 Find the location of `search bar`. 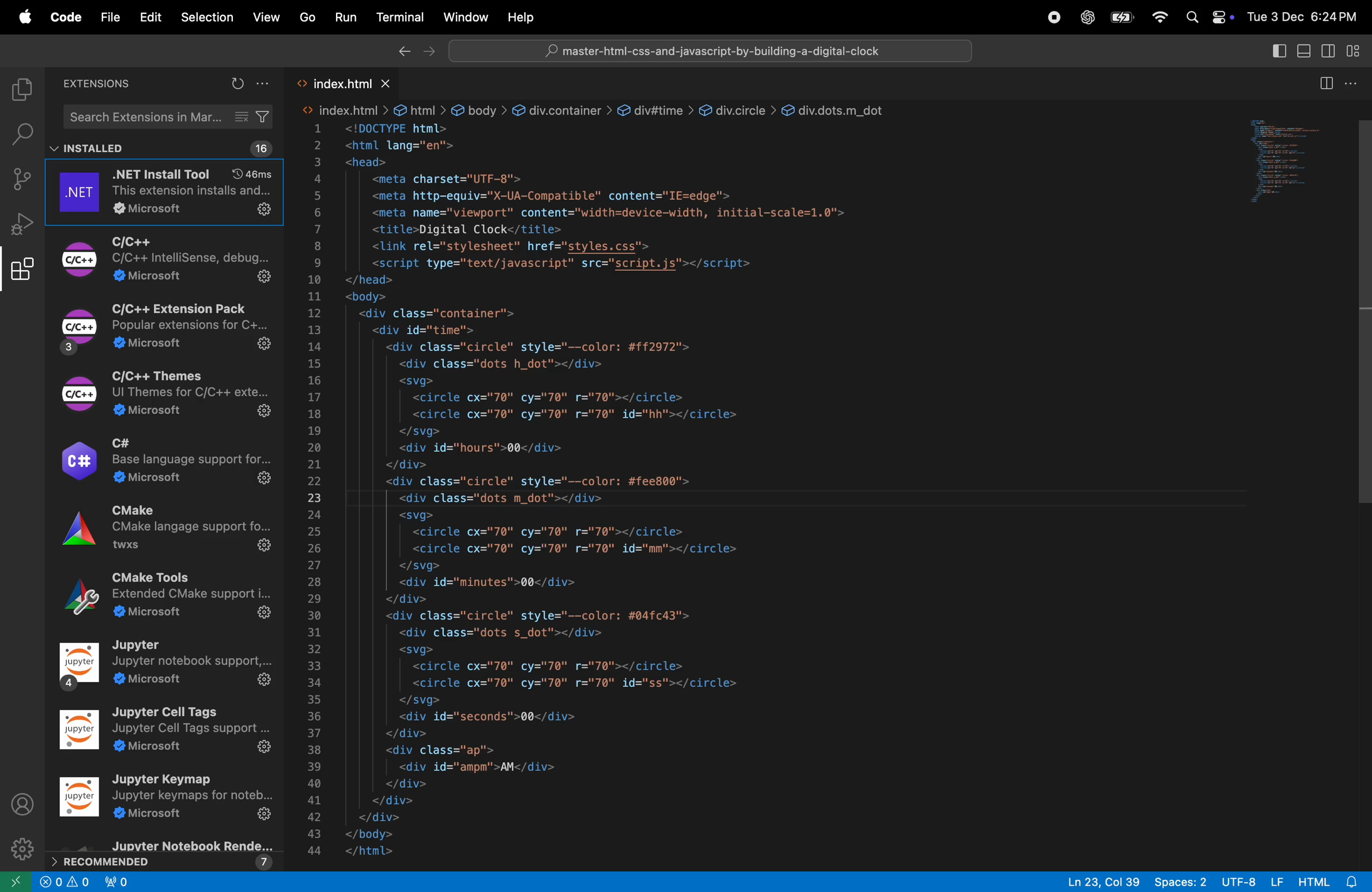

search bar is located at coordinates (170, 117).